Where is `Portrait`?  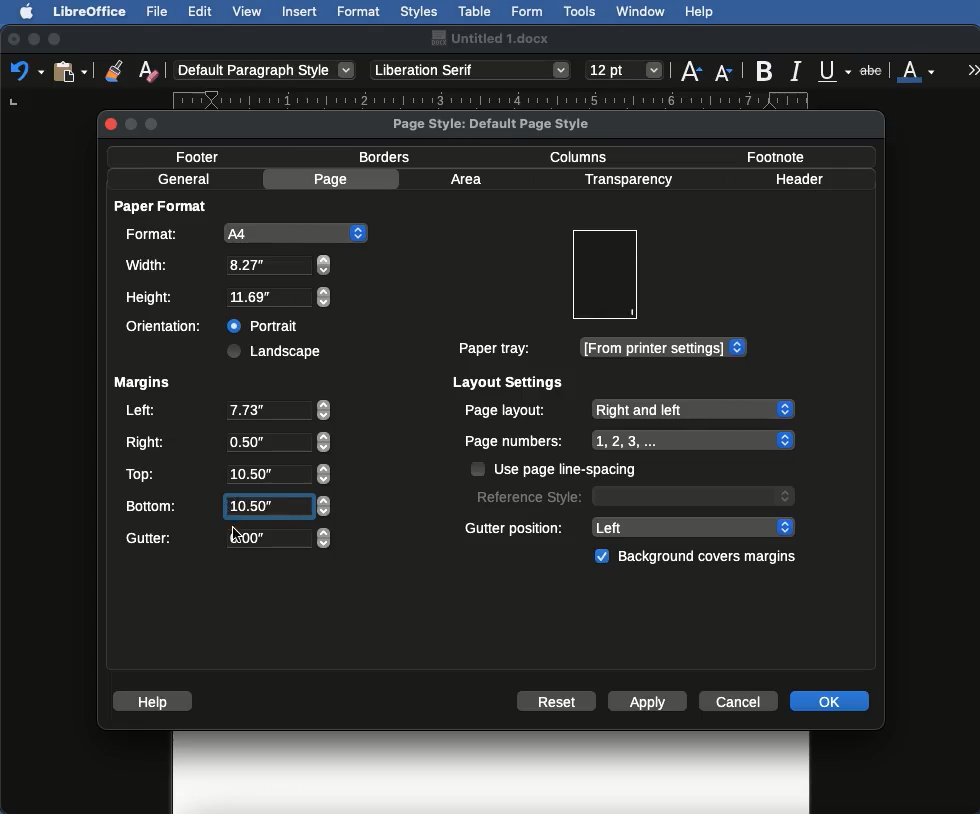 Portrait is located at coordinates (265, 323).